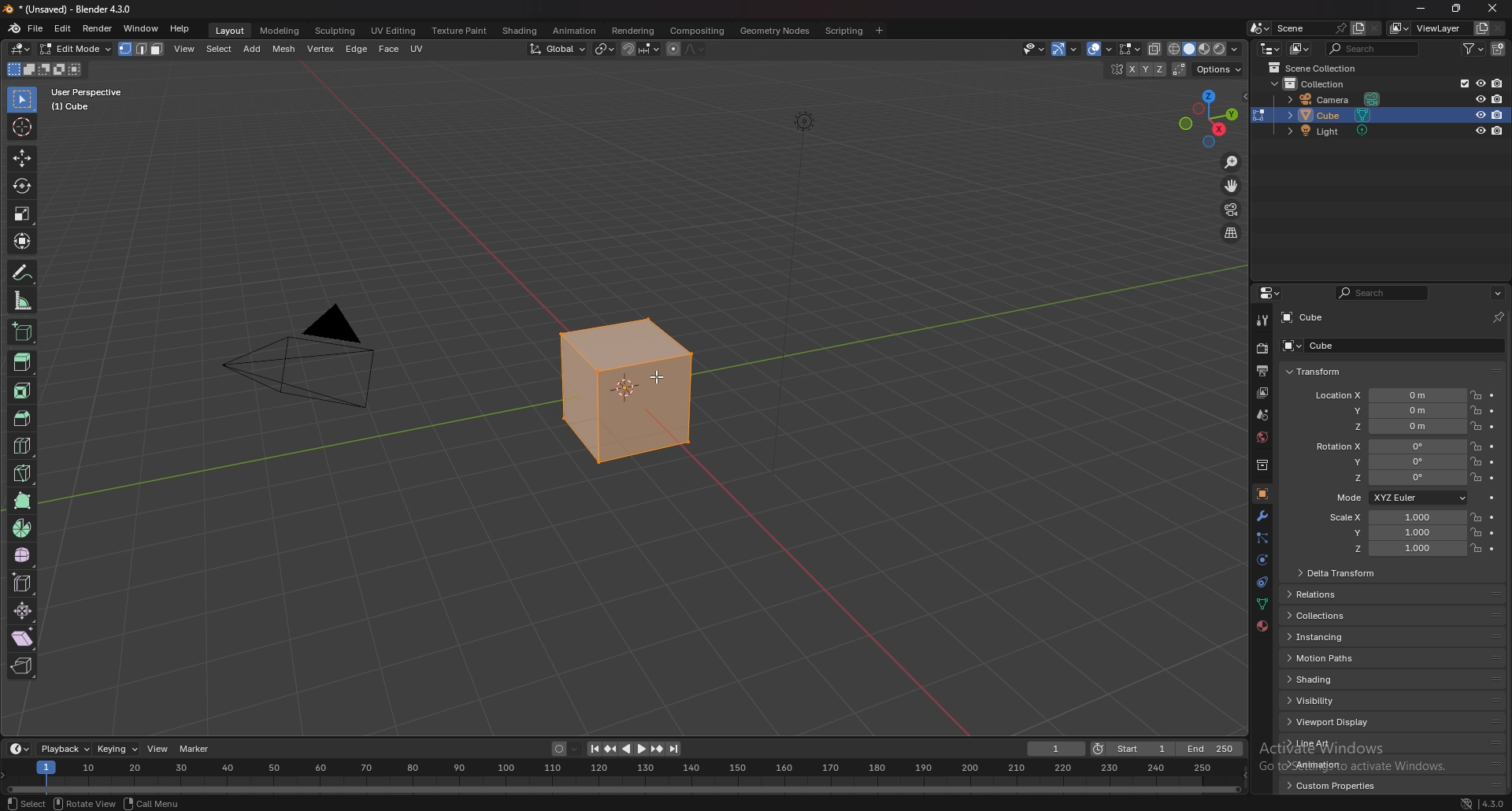 Image resolution: width=1512 pixels, height=811 pixels. What do you see at coordinates (641, 49) in the screenshot?
I see `snapping` at bounding box center [641, 49].